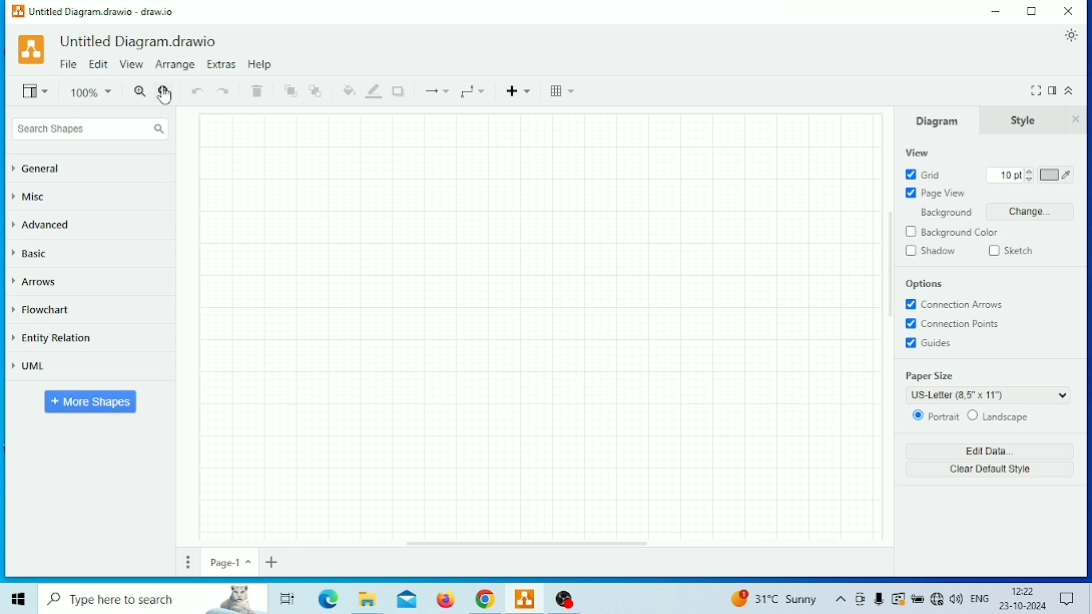  What do you see at coordinates (840, 600) in the screenshot?
I see `Show hidden icons` at bounding box center [840, 600].